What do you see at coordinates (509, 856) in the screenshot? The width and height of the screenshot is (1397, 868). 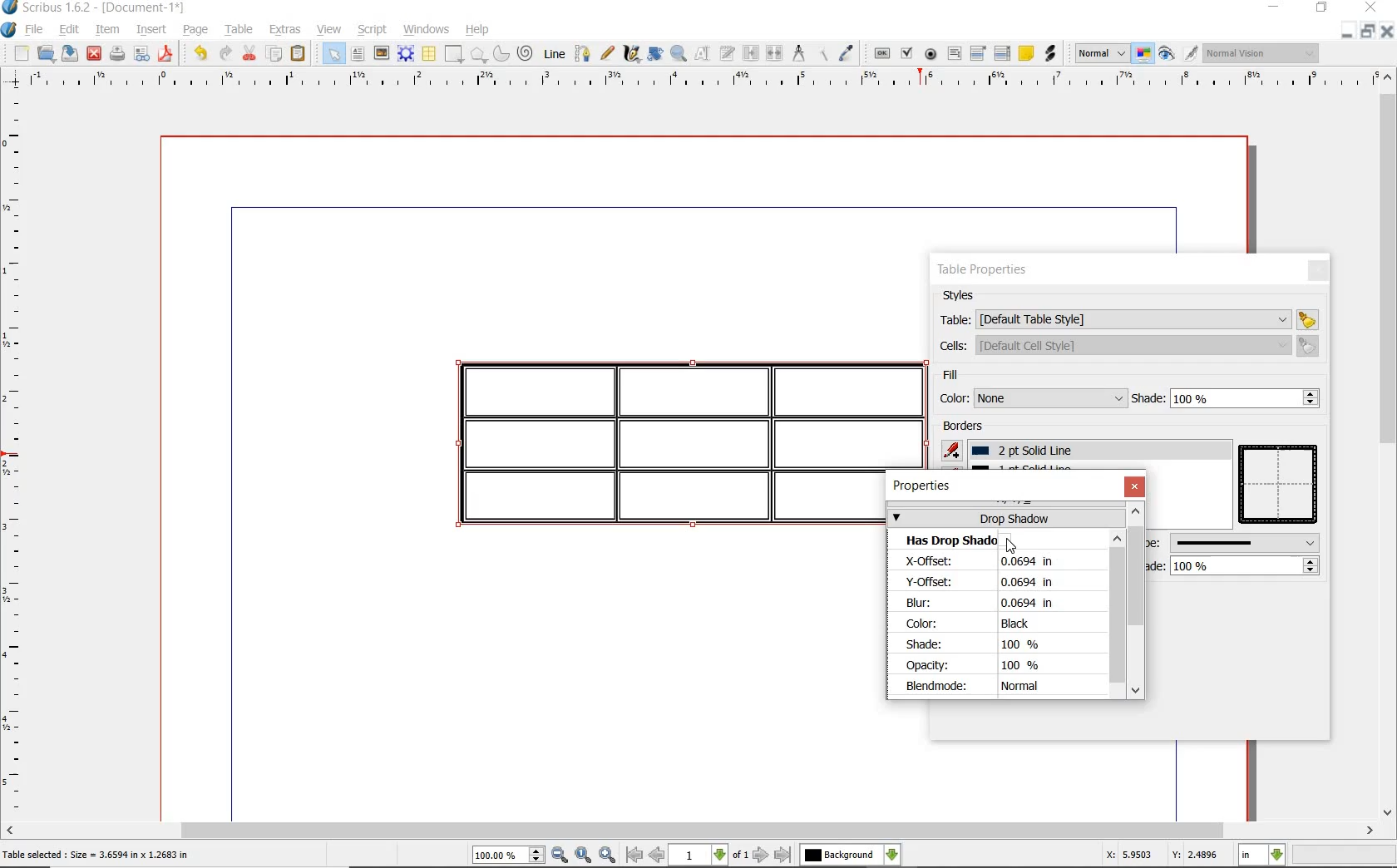 I see `select current zoom level` at bounding box center [509, 856].